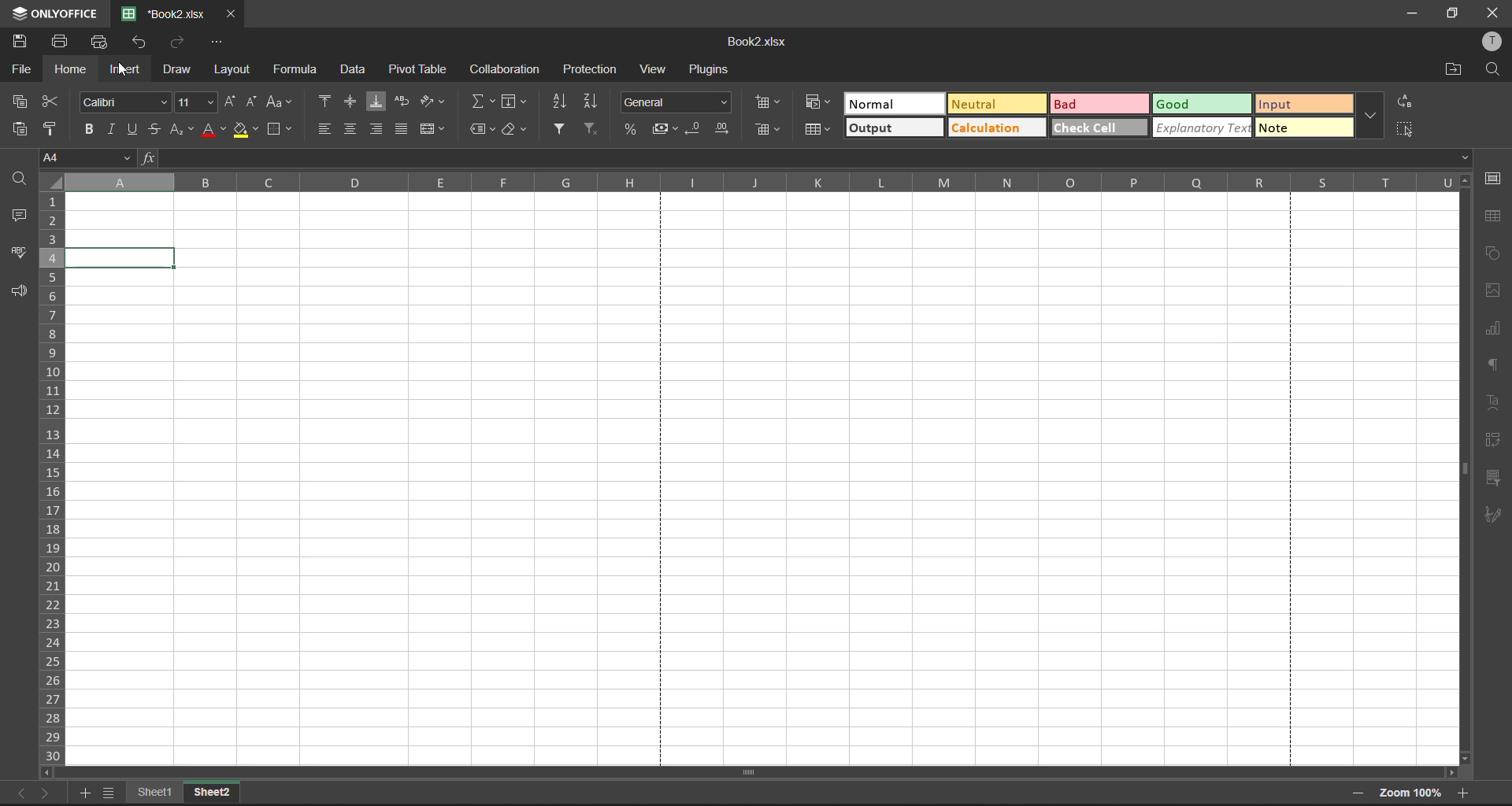 Image resolution: width=1512 pixels, height=806 pixels. What do you see at coordinates (1203, 103) in the screenshot?
I see `good` at bounding box center [1203, 103].